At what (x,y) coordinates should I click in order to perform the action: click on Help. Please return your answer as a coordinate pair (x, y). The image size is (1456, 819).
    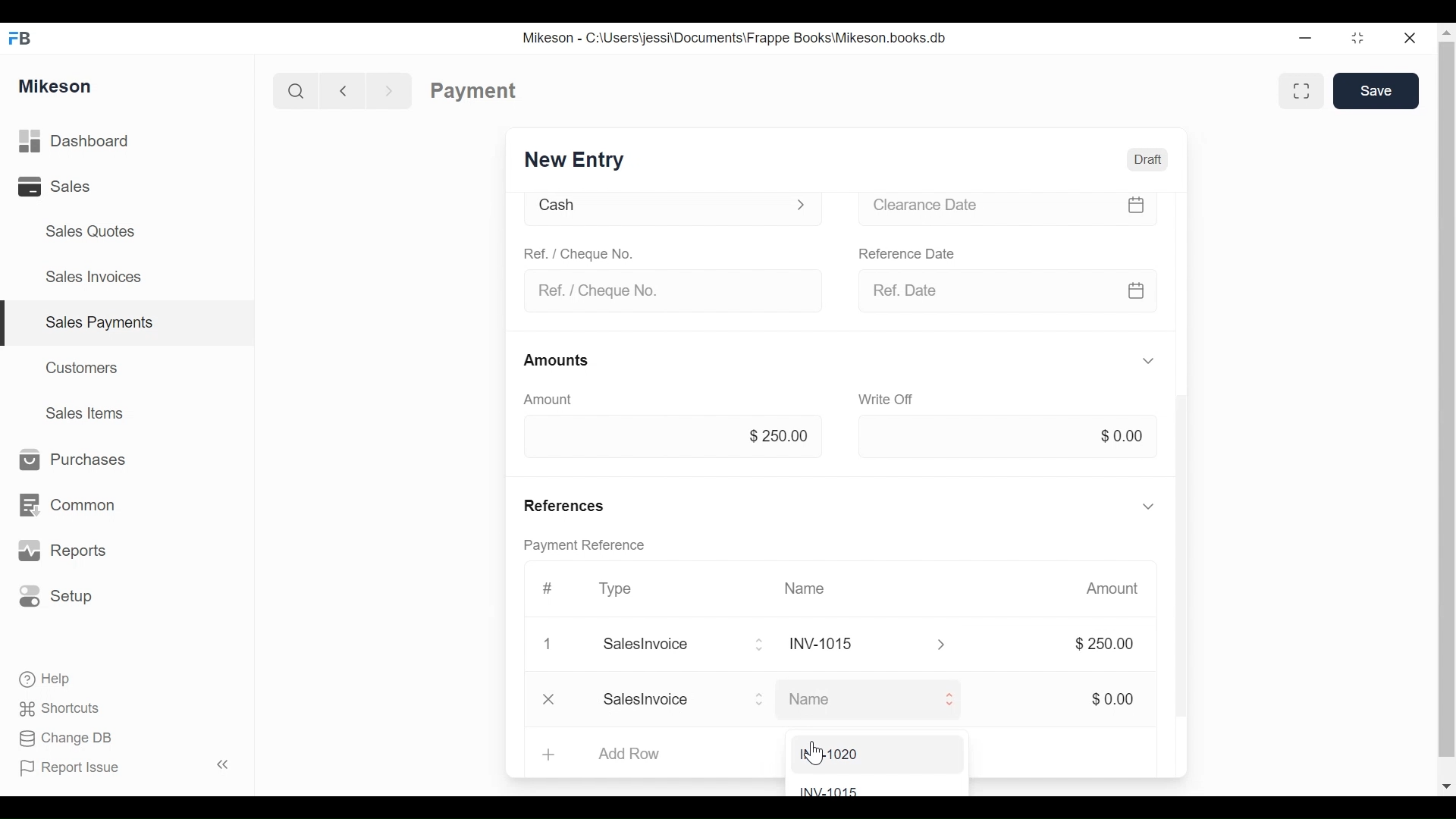
    Looking at the image, I should click on (56, 679).